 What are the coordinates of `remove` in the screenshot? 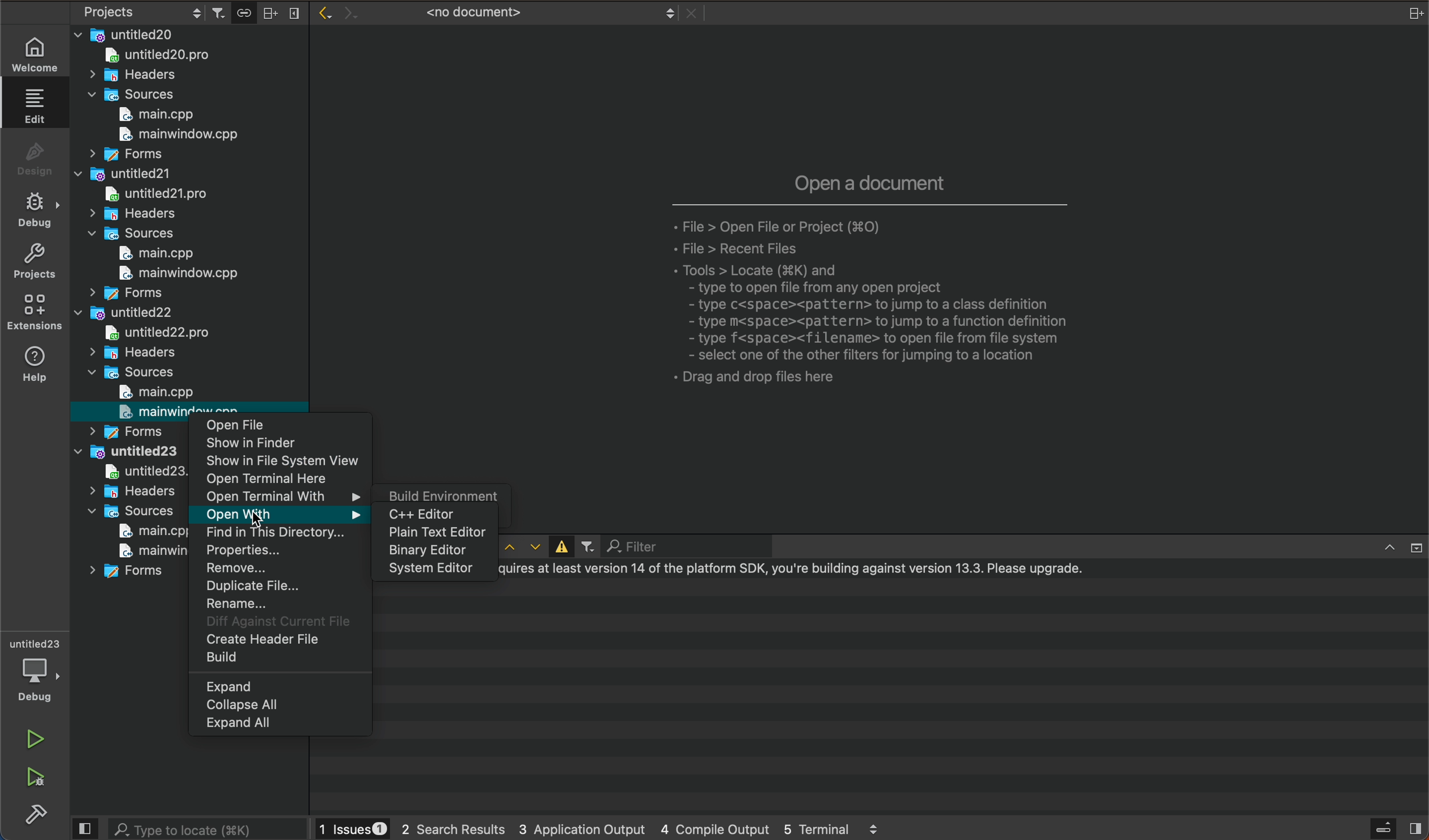 It's located at (280, 570).